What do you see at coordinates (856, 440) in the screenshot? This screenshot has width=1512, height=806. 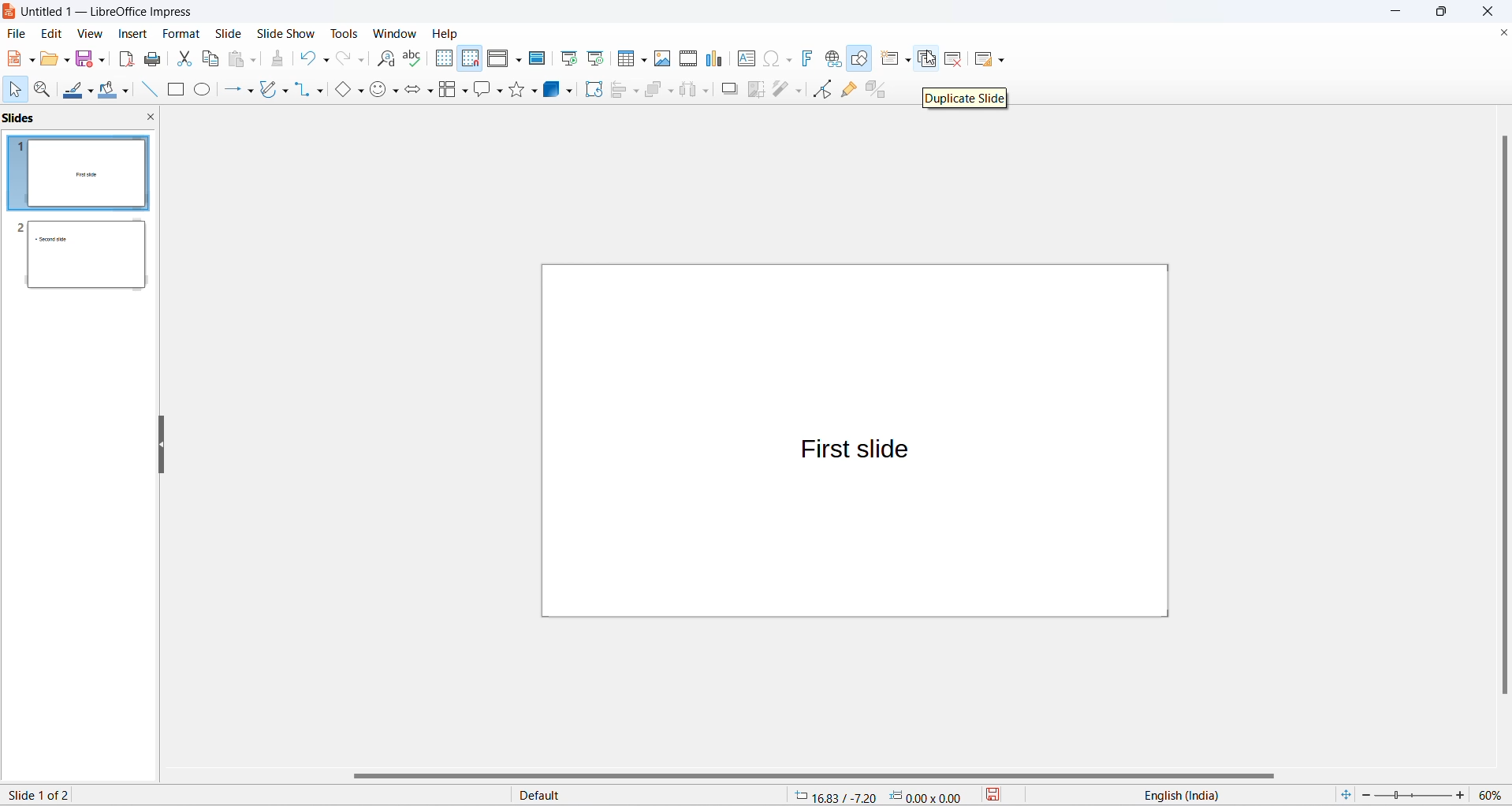 I see `canvas ` at bounding box center [856, 440].